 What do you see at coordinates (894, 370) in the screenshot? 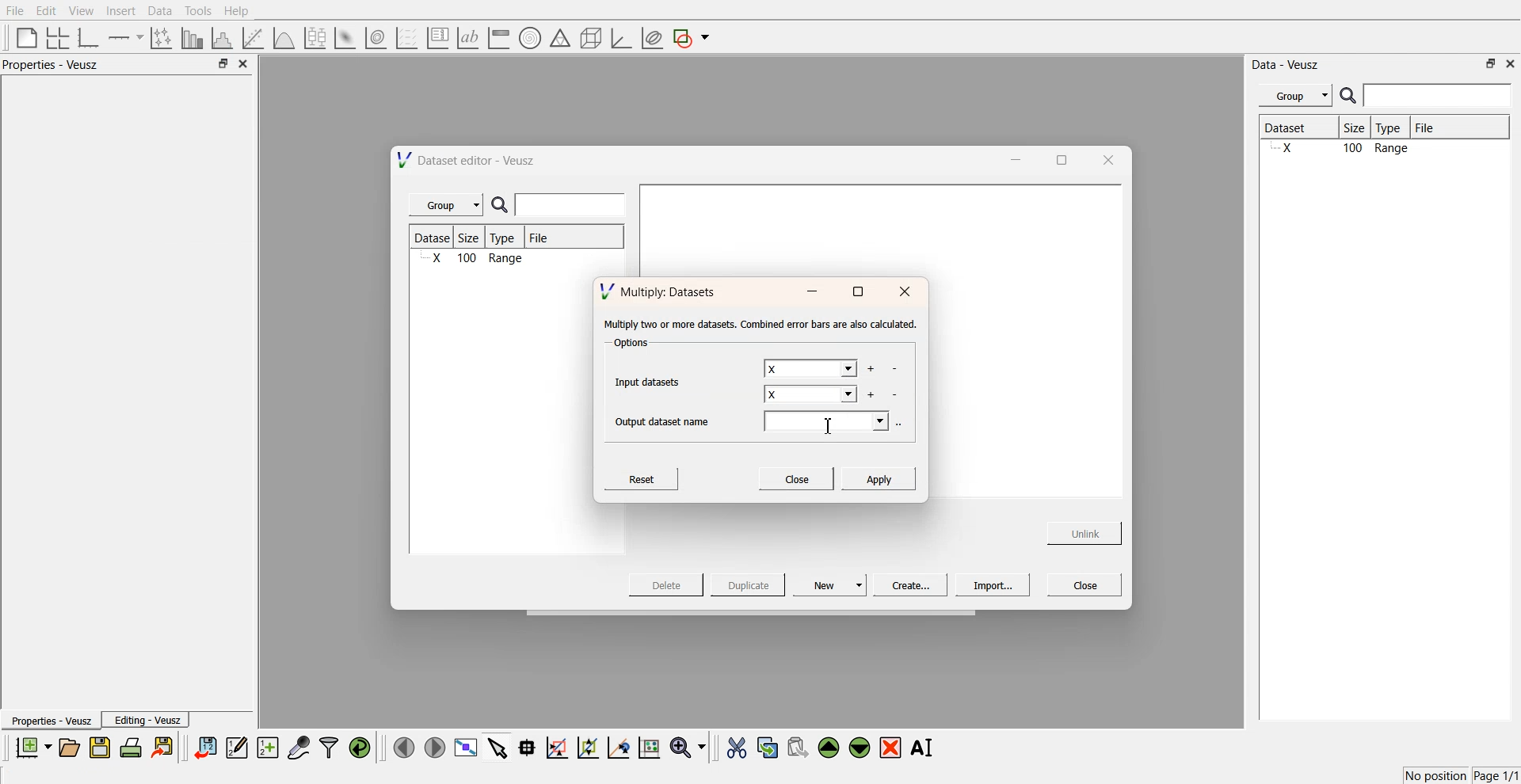
I see `delete datasets` at bounding box center [894, 370].